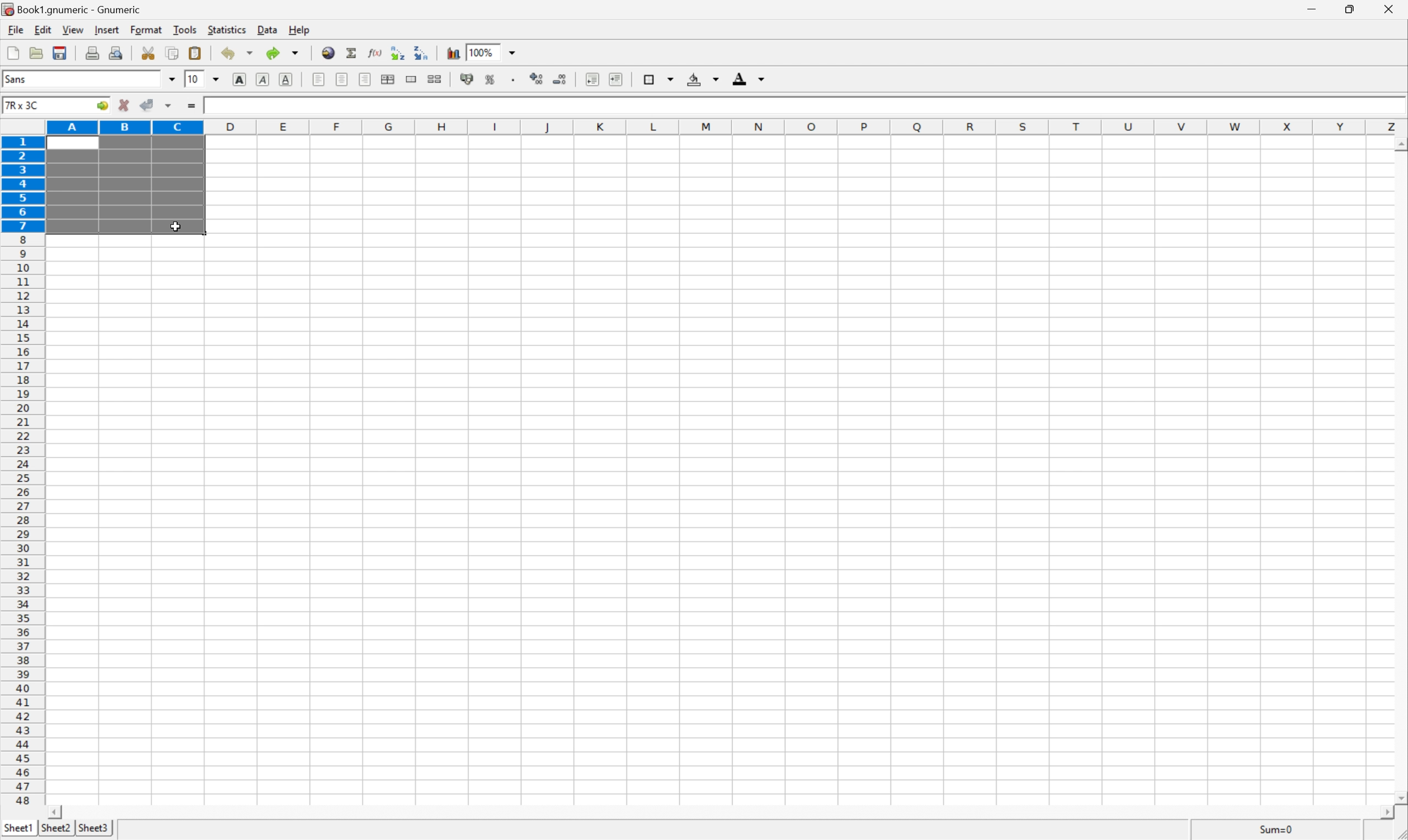  Describe the element at coordinates (87, 80) in the screenshot. I see `font name - Sans` at that location.